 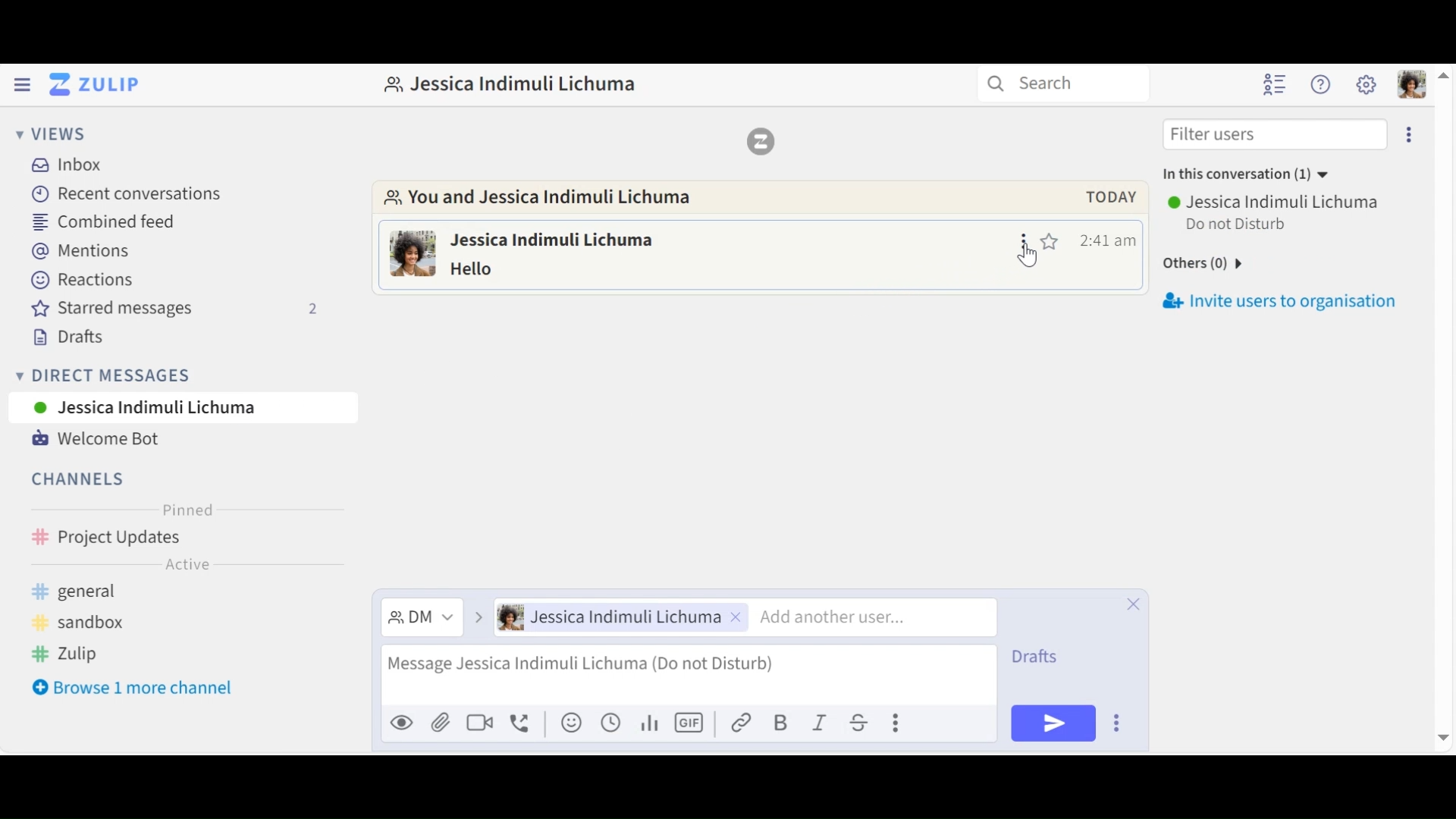 I want to click on Pinned, so click(x=185, y=510).